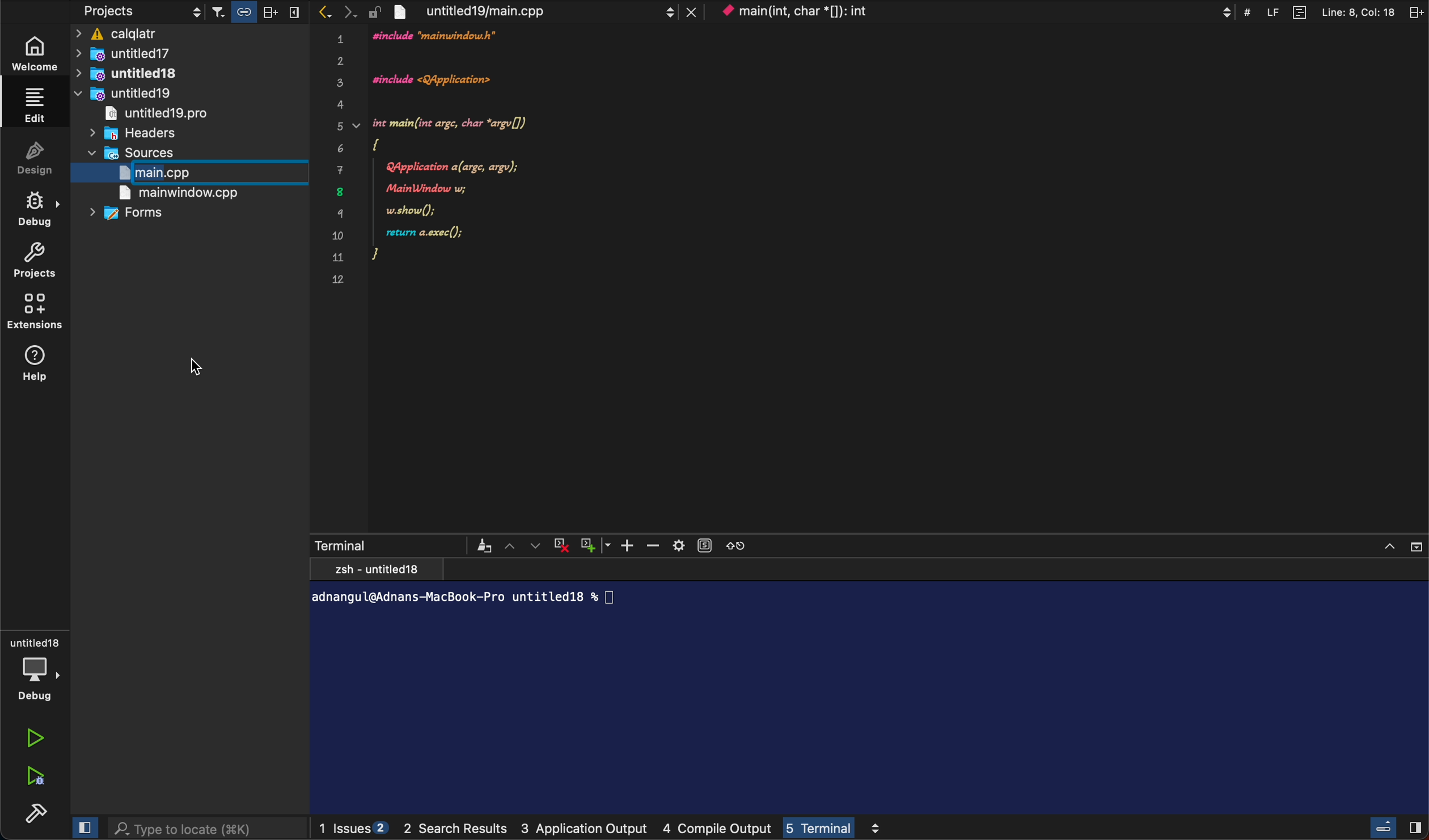  I want to click on untitled19pro, so click(155, 113).